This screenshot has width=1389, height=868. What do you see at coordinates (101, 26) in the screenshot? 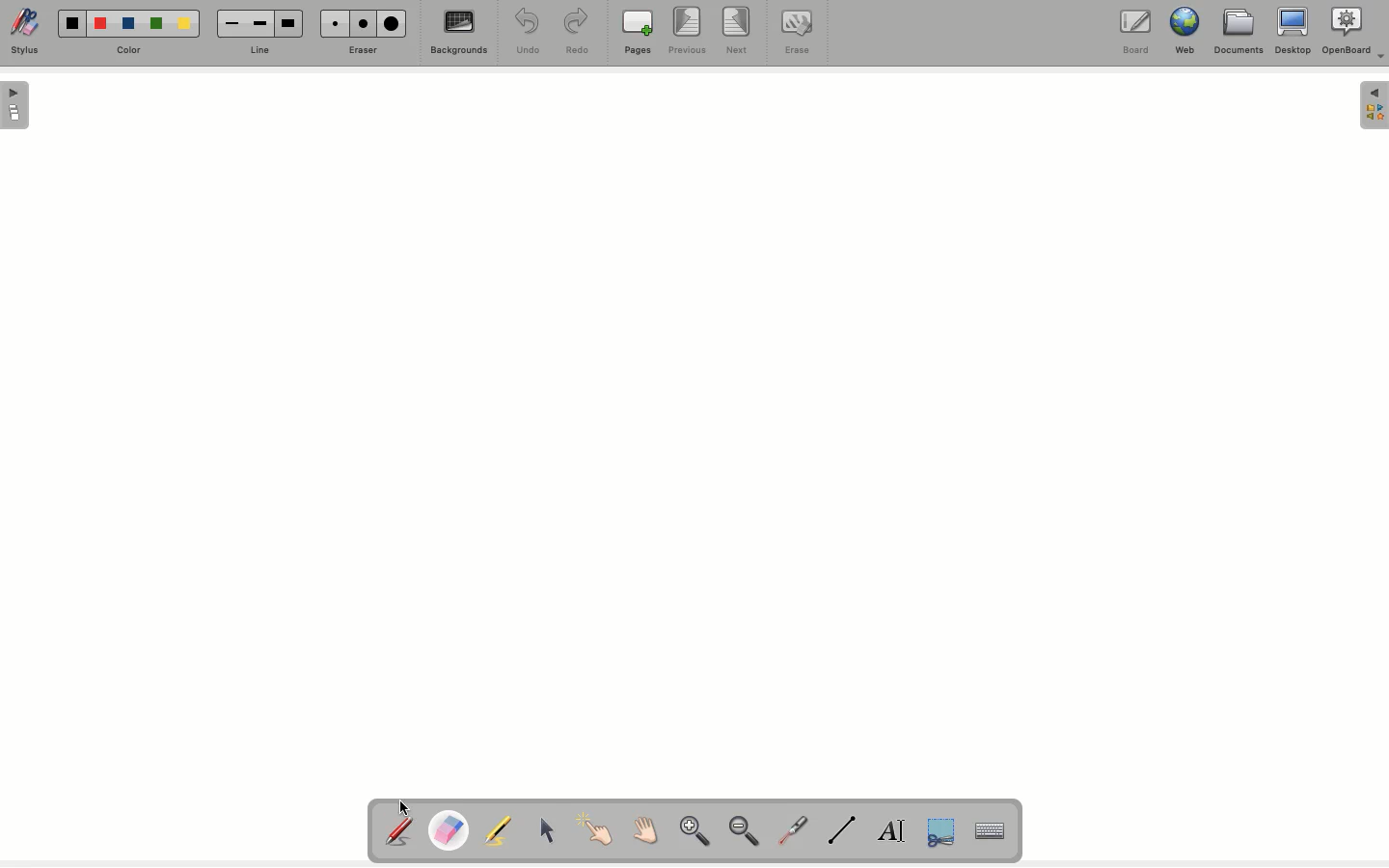
I see `Red` at bounding box center [101, 26].